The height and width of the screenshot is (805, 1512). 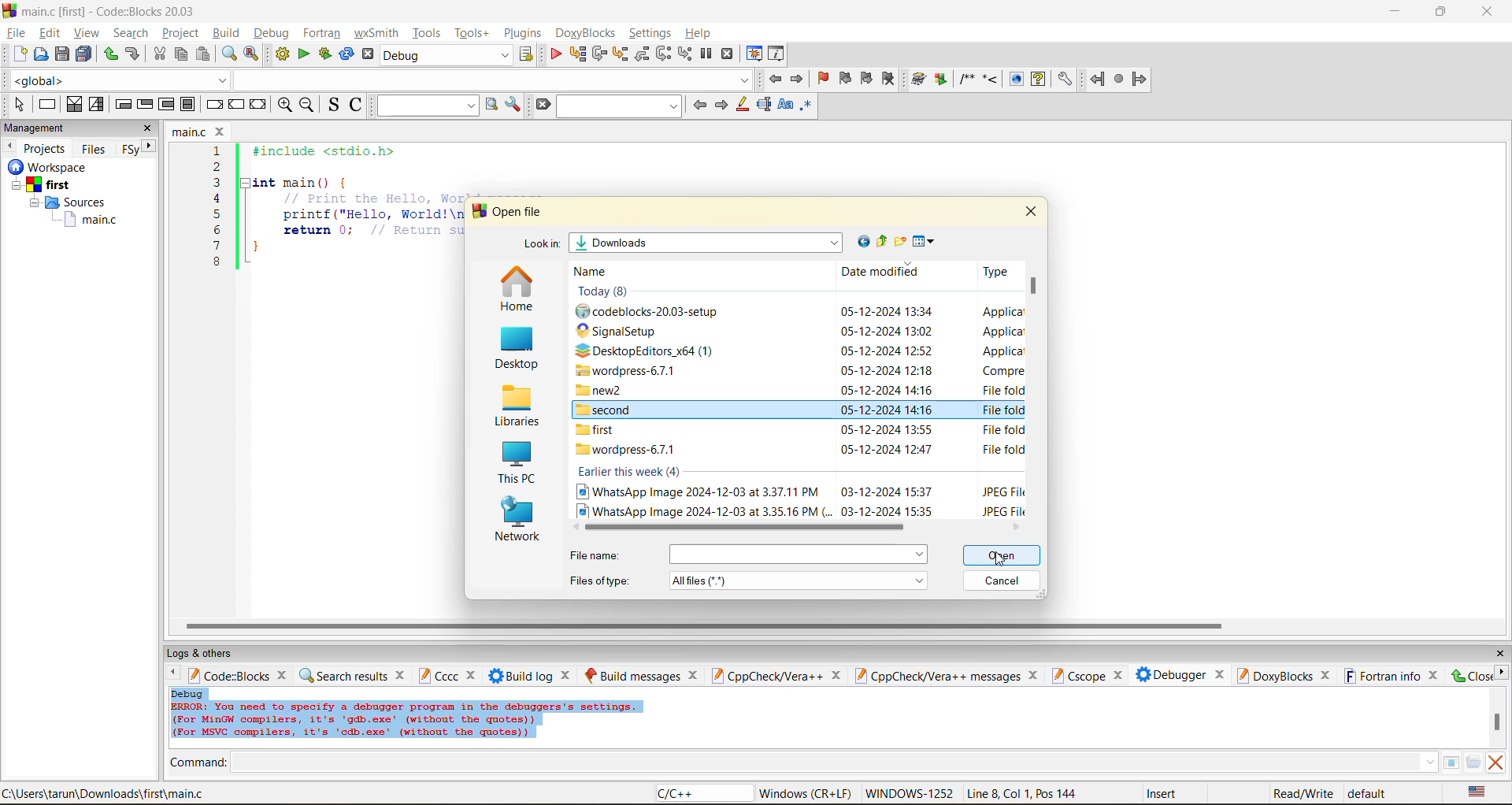 I want to click on cppcheck/vera++ messages, so click(x=936, y=676).